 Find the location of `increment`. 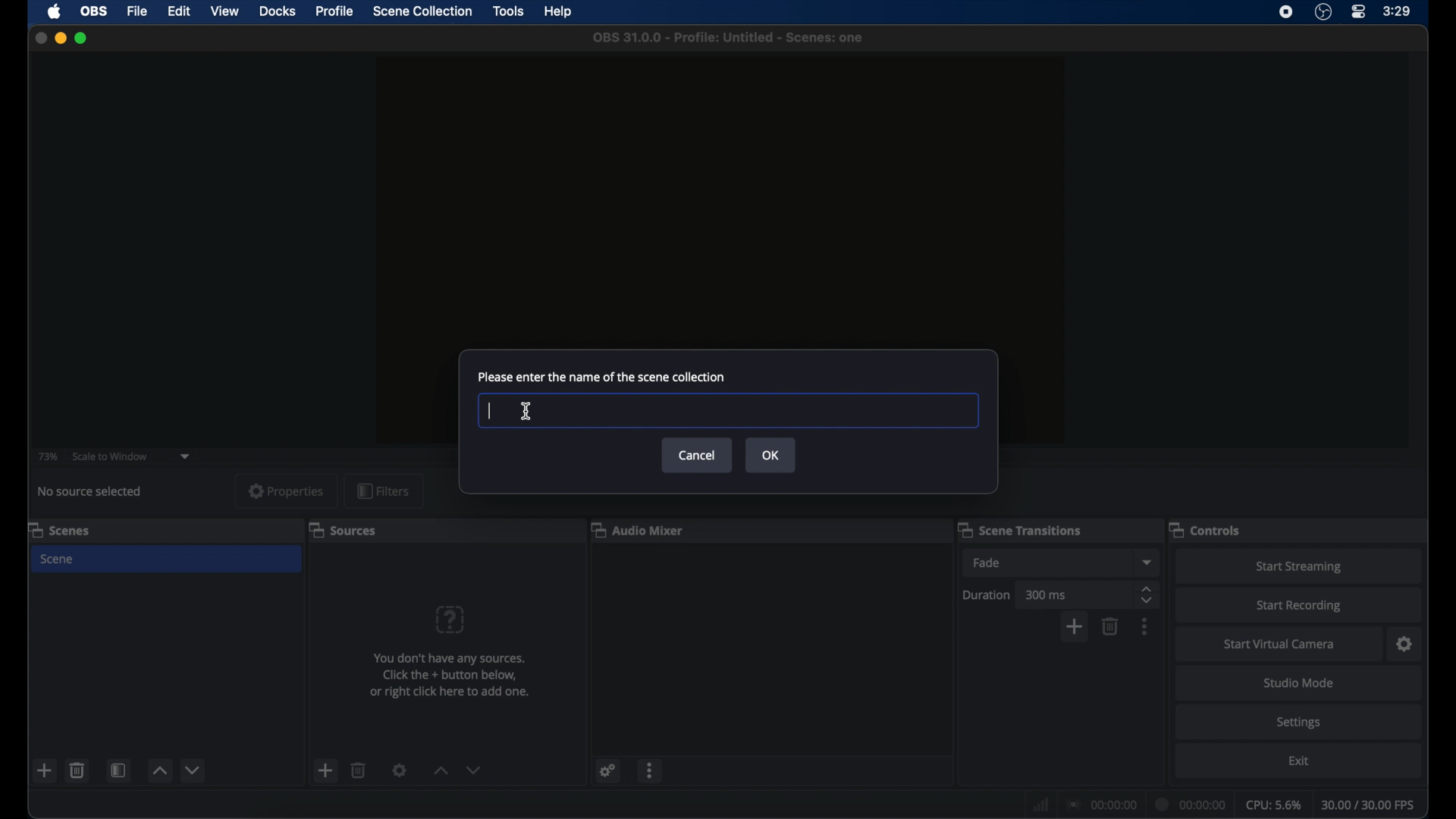

increment is located at coordinates (438, 770).